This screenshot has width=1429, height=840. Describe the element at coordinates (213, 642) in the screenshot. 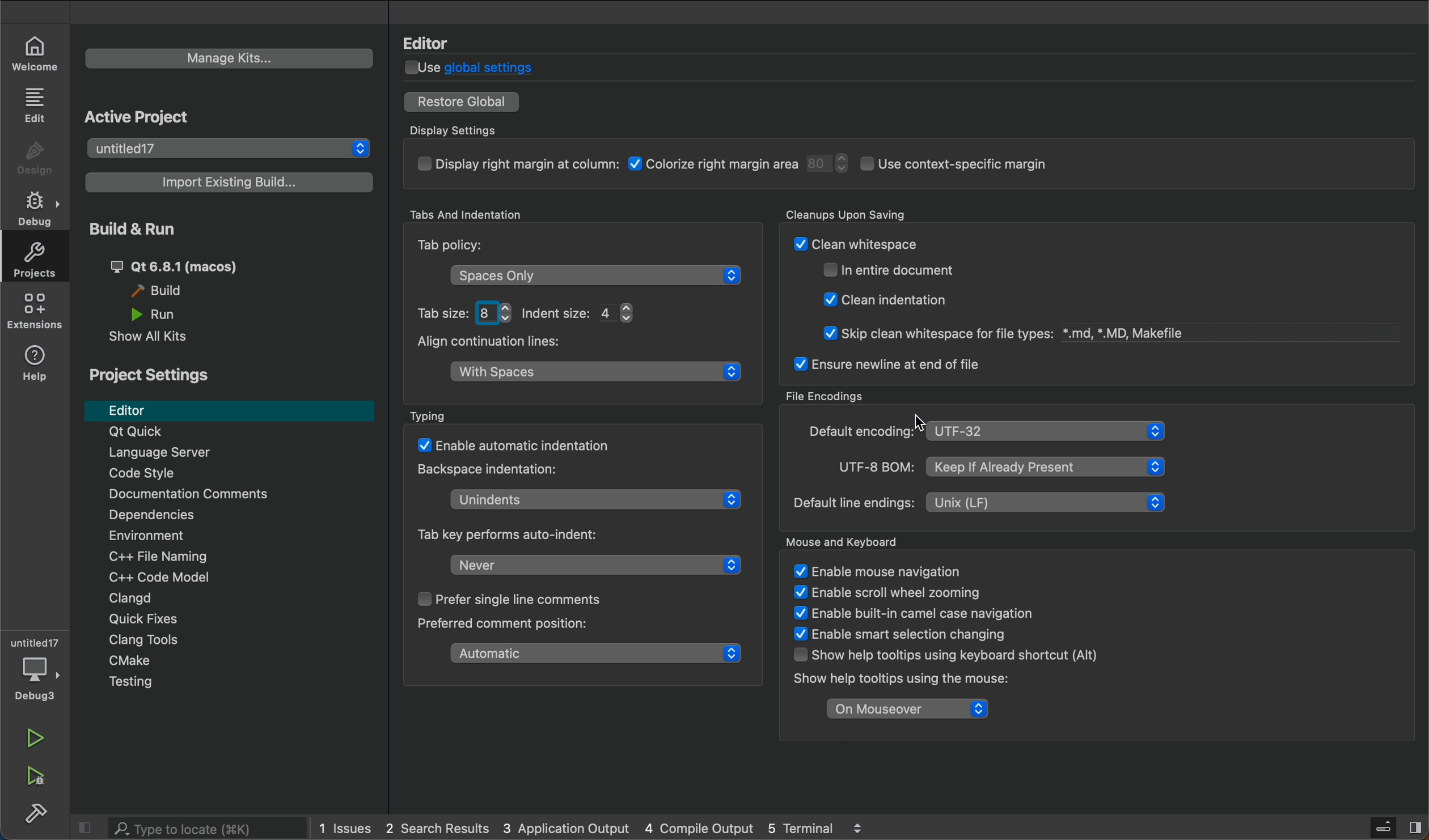

I see `Clang Tools` at that location.